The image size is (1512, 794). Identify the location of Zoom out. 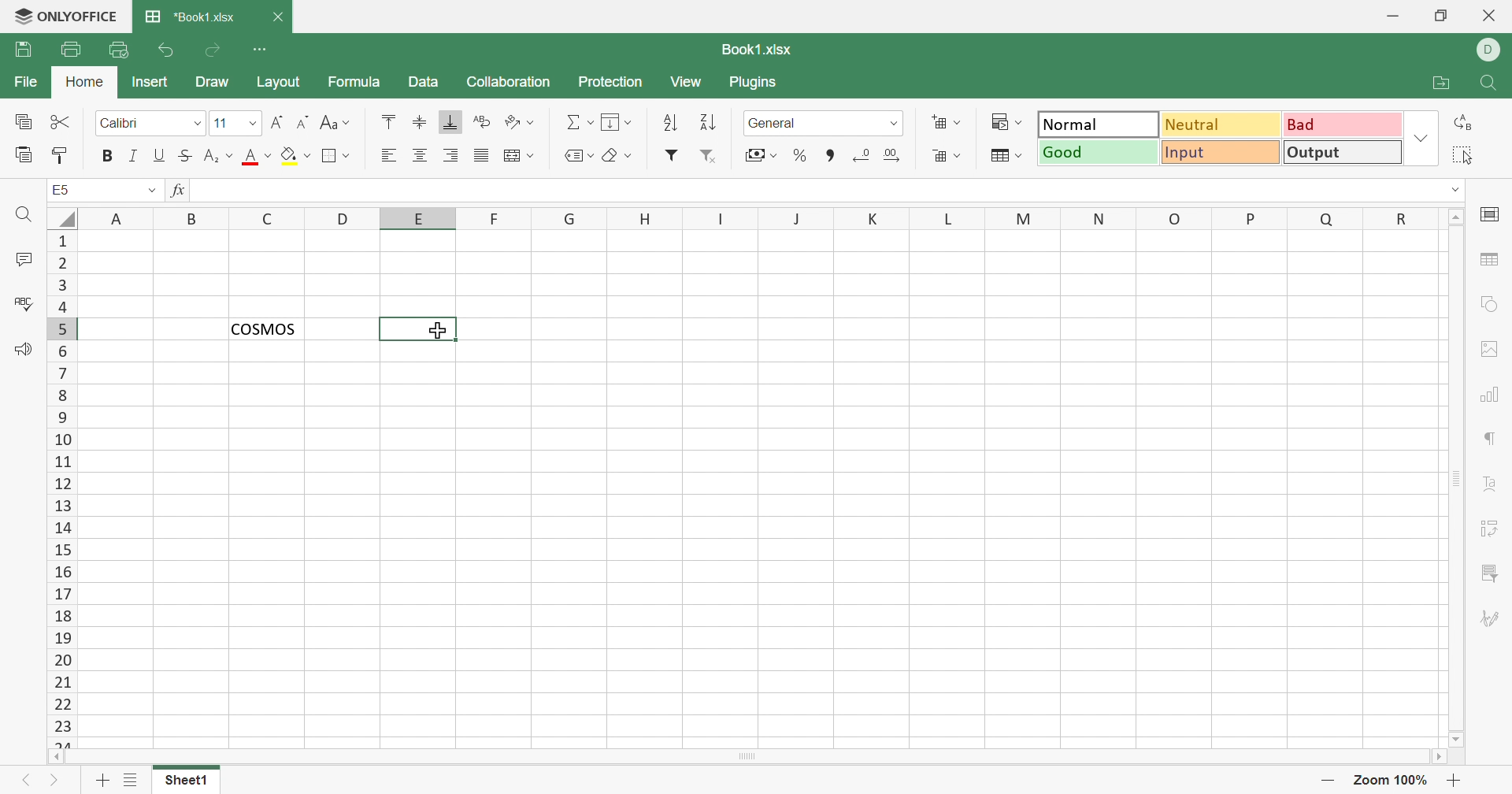
(1326, 778).